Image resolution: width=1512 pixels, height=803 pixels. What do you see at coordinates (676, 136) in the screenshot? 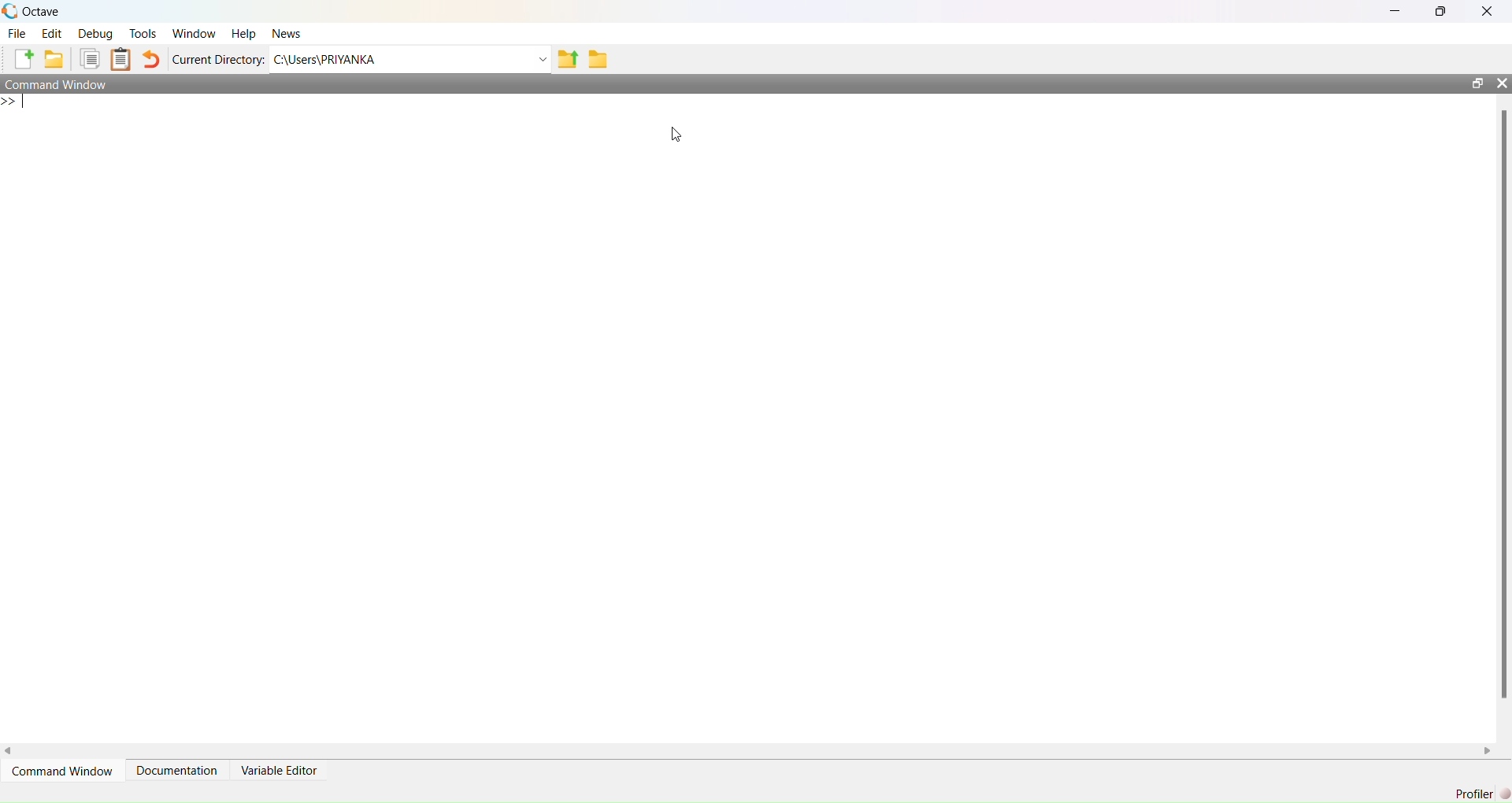
I see `cursor` at bounding box center [676, 136].